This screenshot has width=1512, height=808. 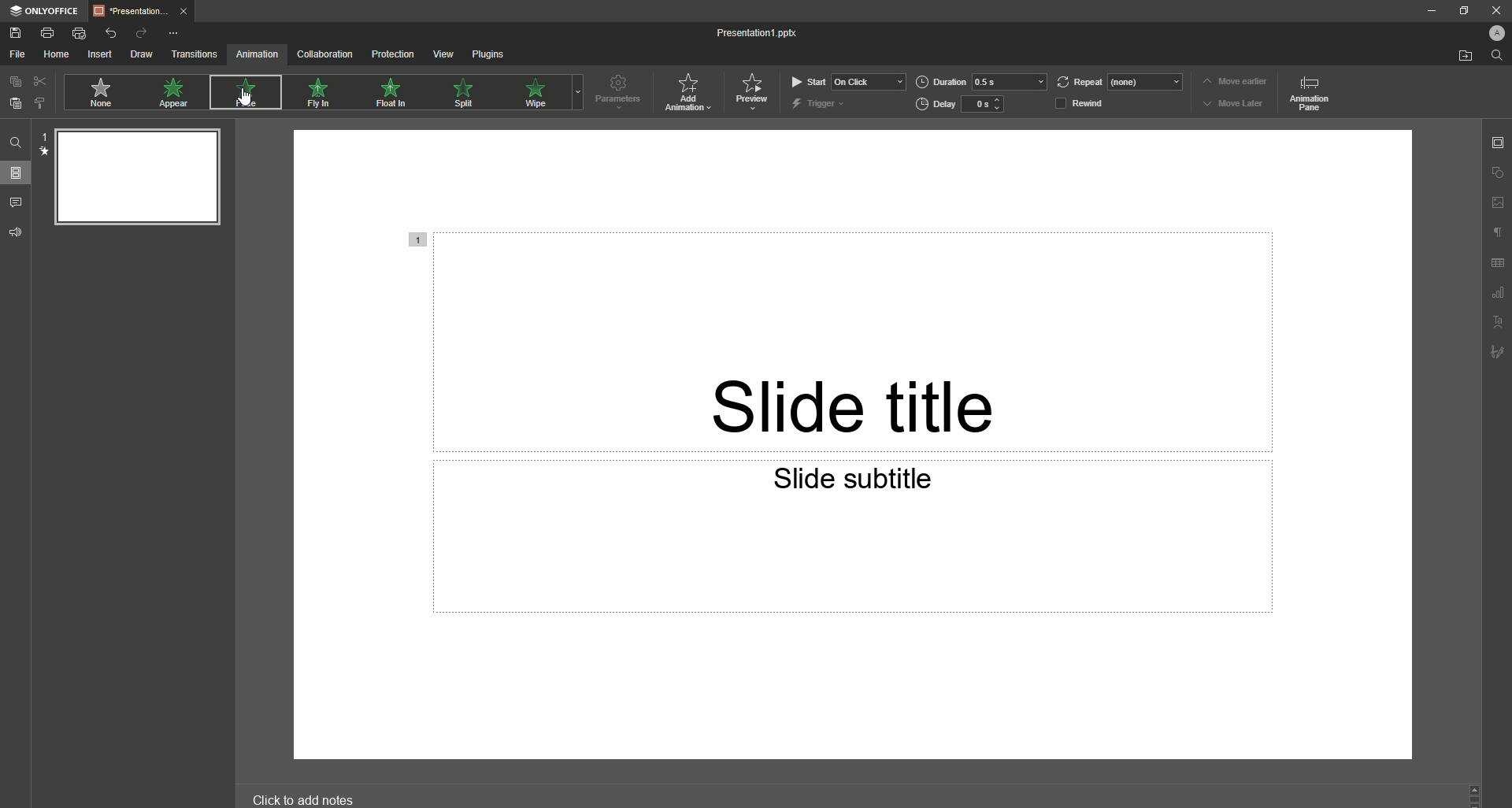 I want to click on Restore, so click(x=1462, y=11).